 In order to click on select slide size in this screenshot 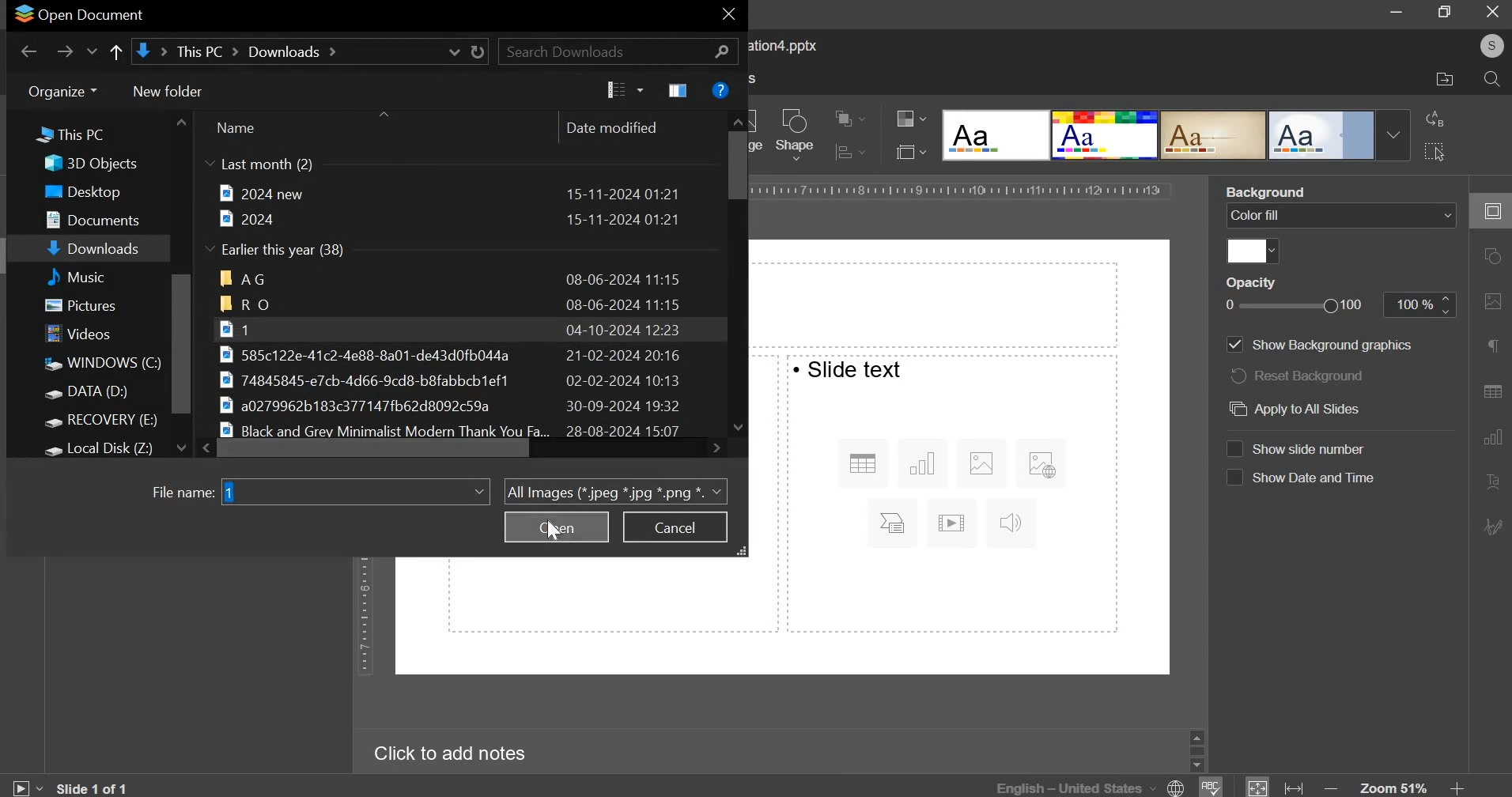, I will do `click(907, 151)`.